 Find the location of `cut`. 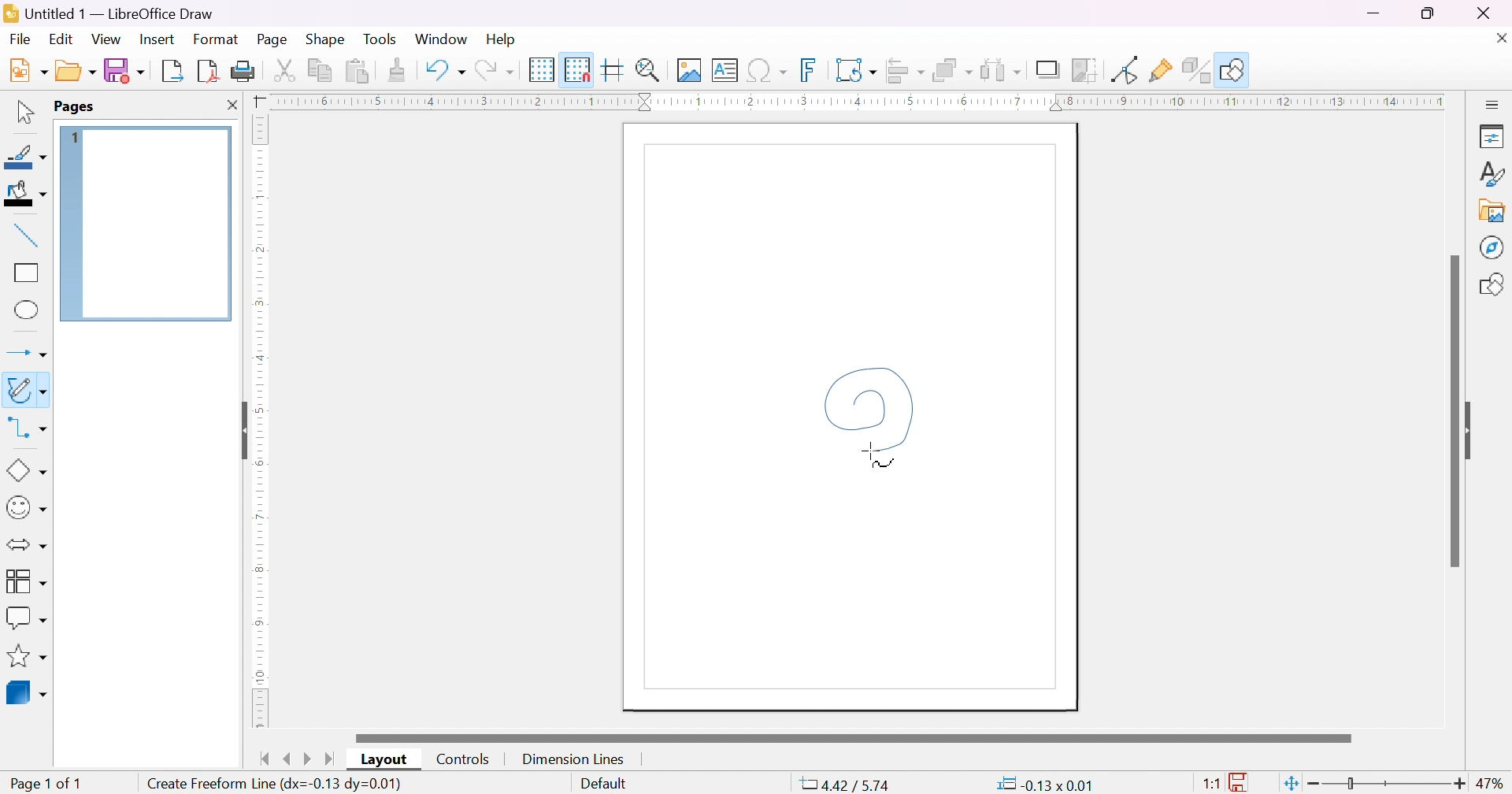

cut is located at coordinates (287, 70).